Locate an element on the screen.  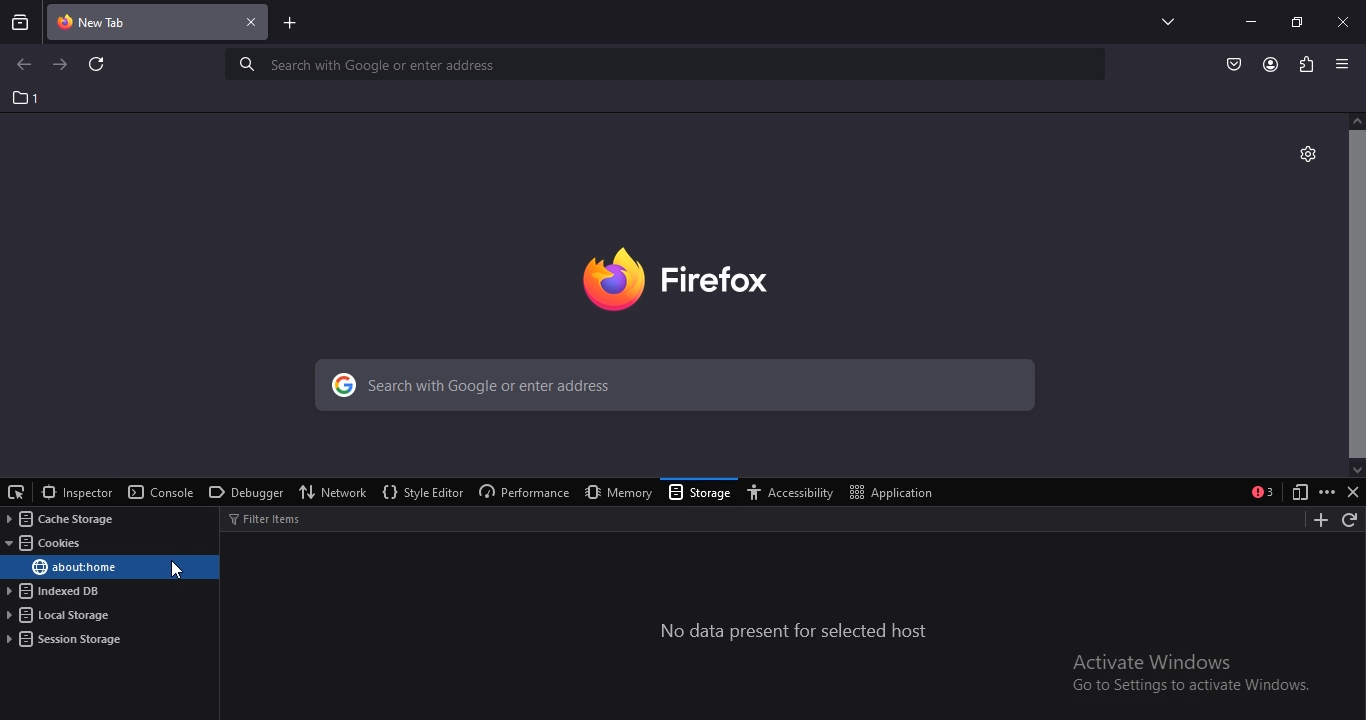
open application menu is located at coordinates (1345, 64).